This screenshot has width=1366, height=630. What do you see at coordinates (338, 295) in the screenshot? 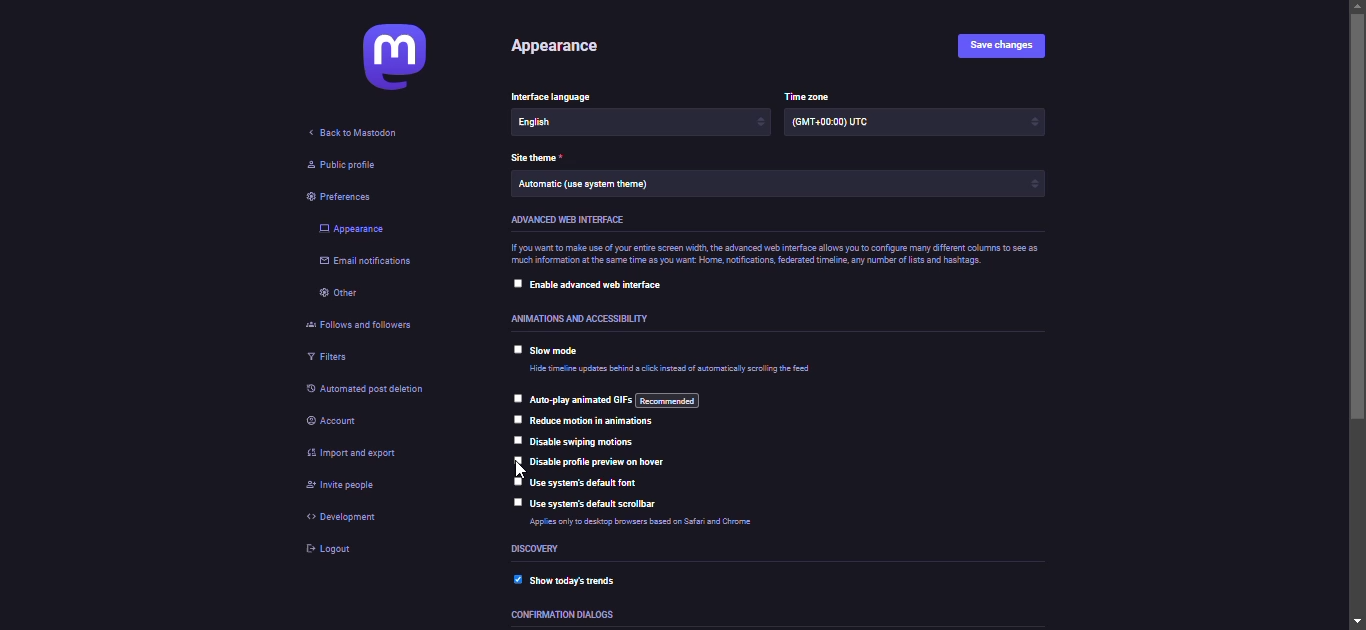
I see `other` at bounding box center [338, 295].